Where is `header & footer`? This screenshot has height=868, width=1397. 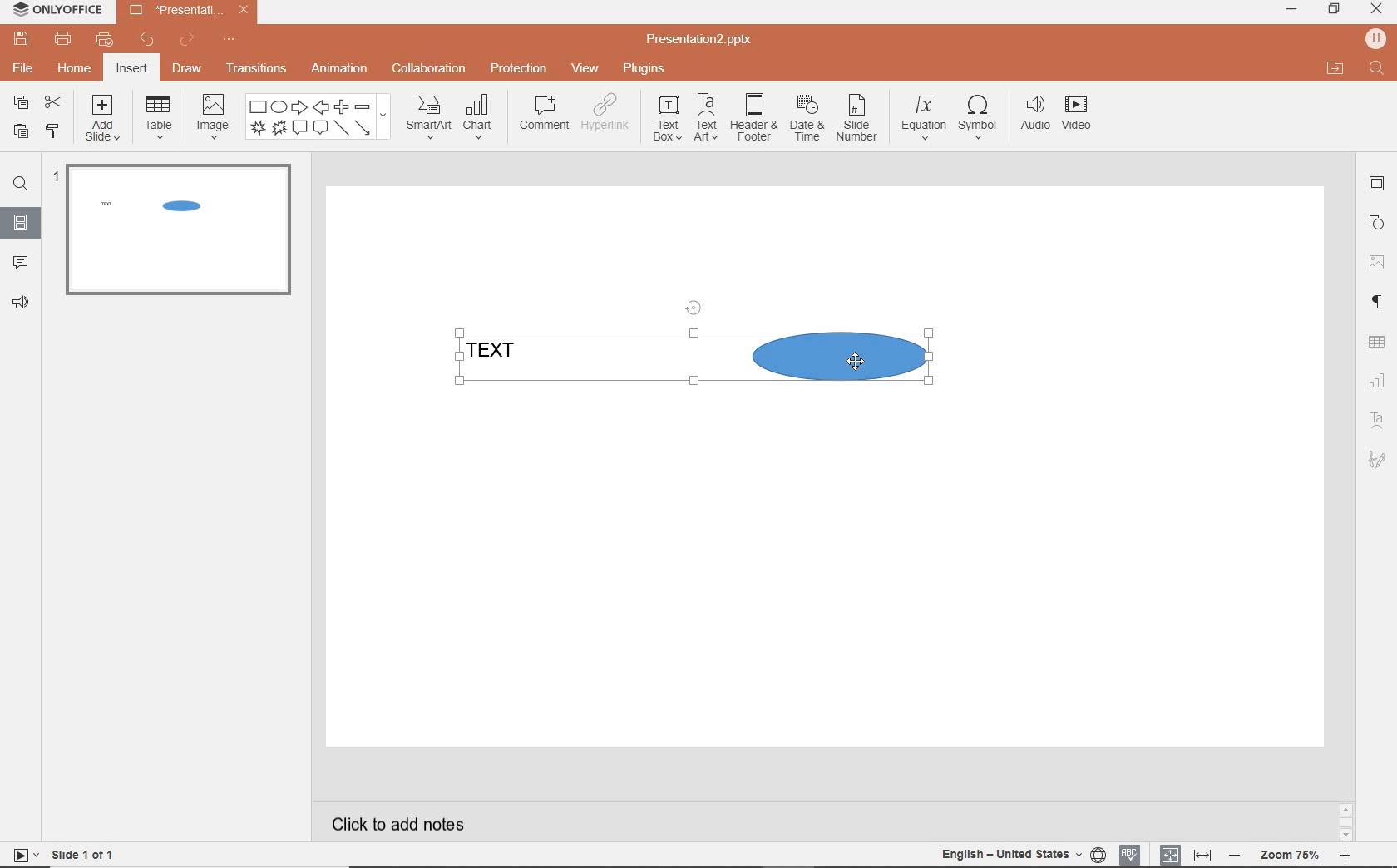 header & footer is located at coordinates (752, 119).